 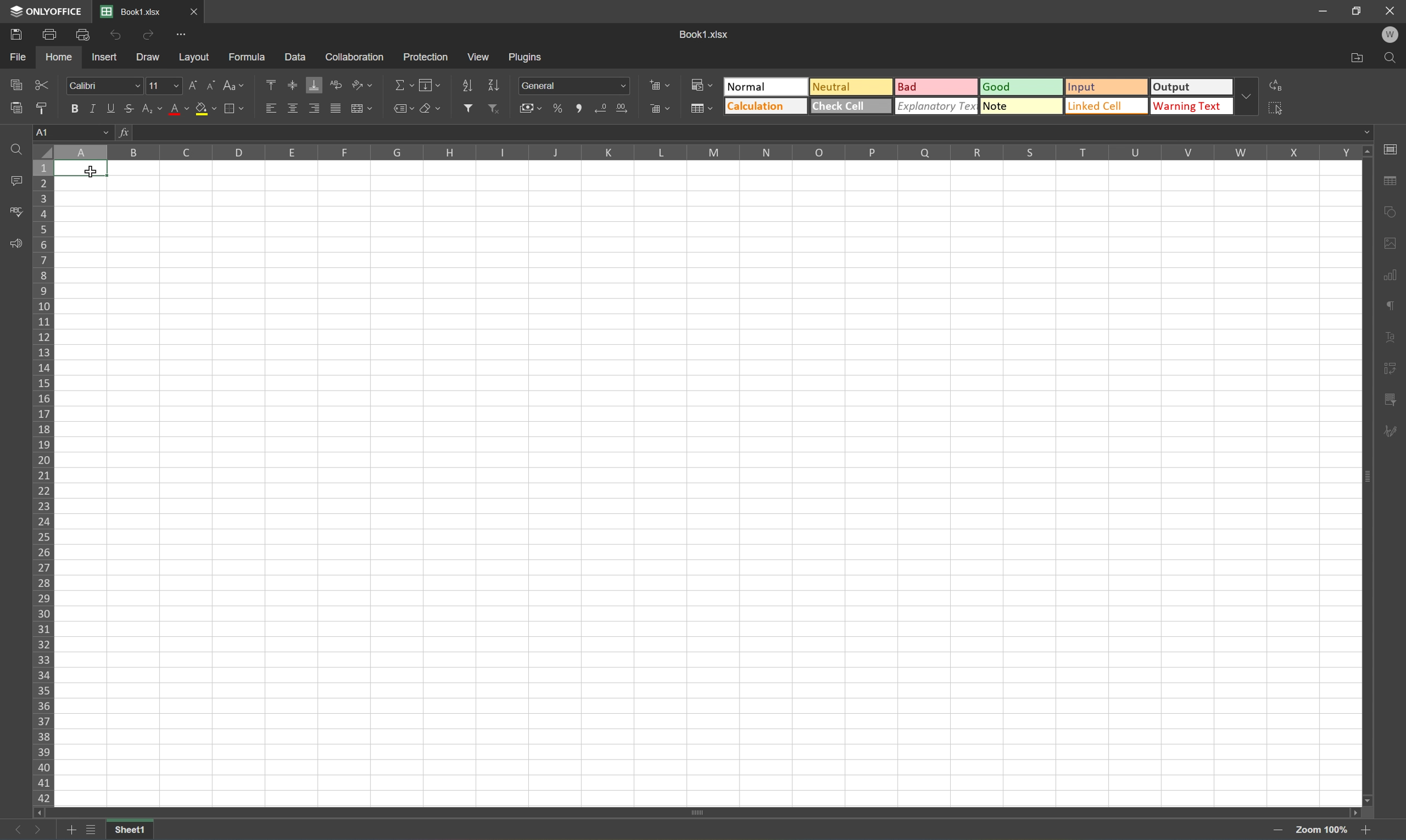 What do you see at coordinates (90, 172) in the screenshot?
I see `Cursor` at bounding box center [90, 172].